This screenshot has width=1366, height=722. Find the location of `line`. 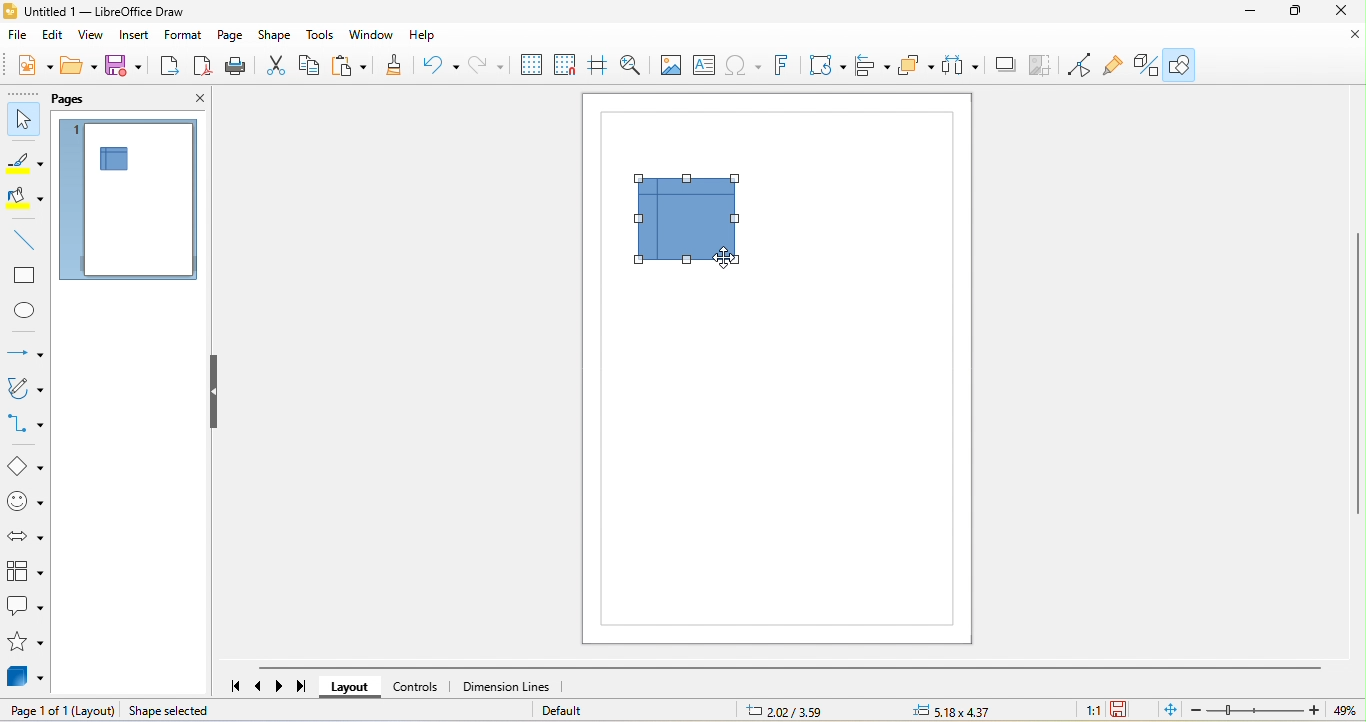

line is located at coordinates (25, 241).